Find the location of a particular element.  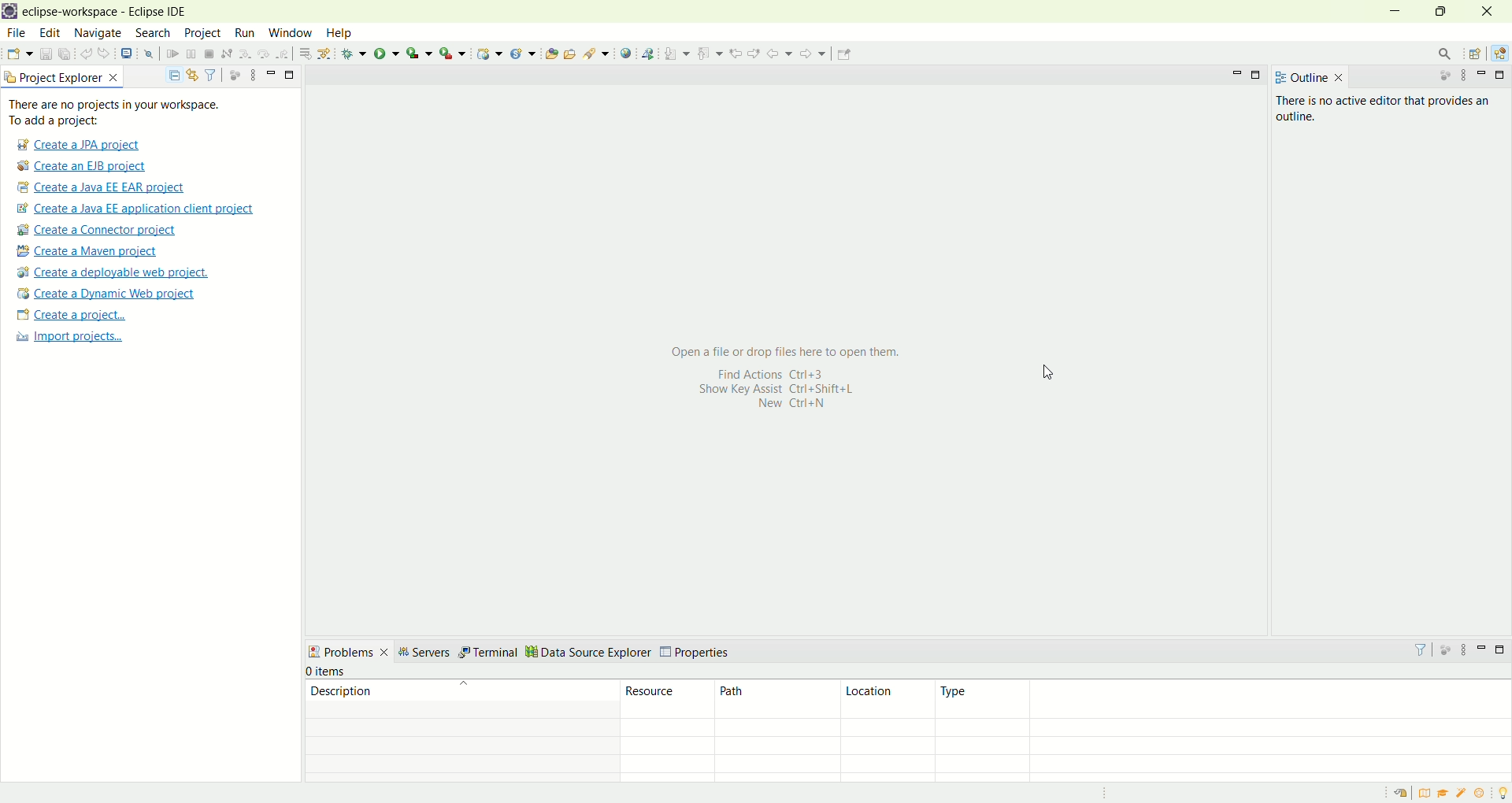

use step filters is located at coordinates (324, 53).